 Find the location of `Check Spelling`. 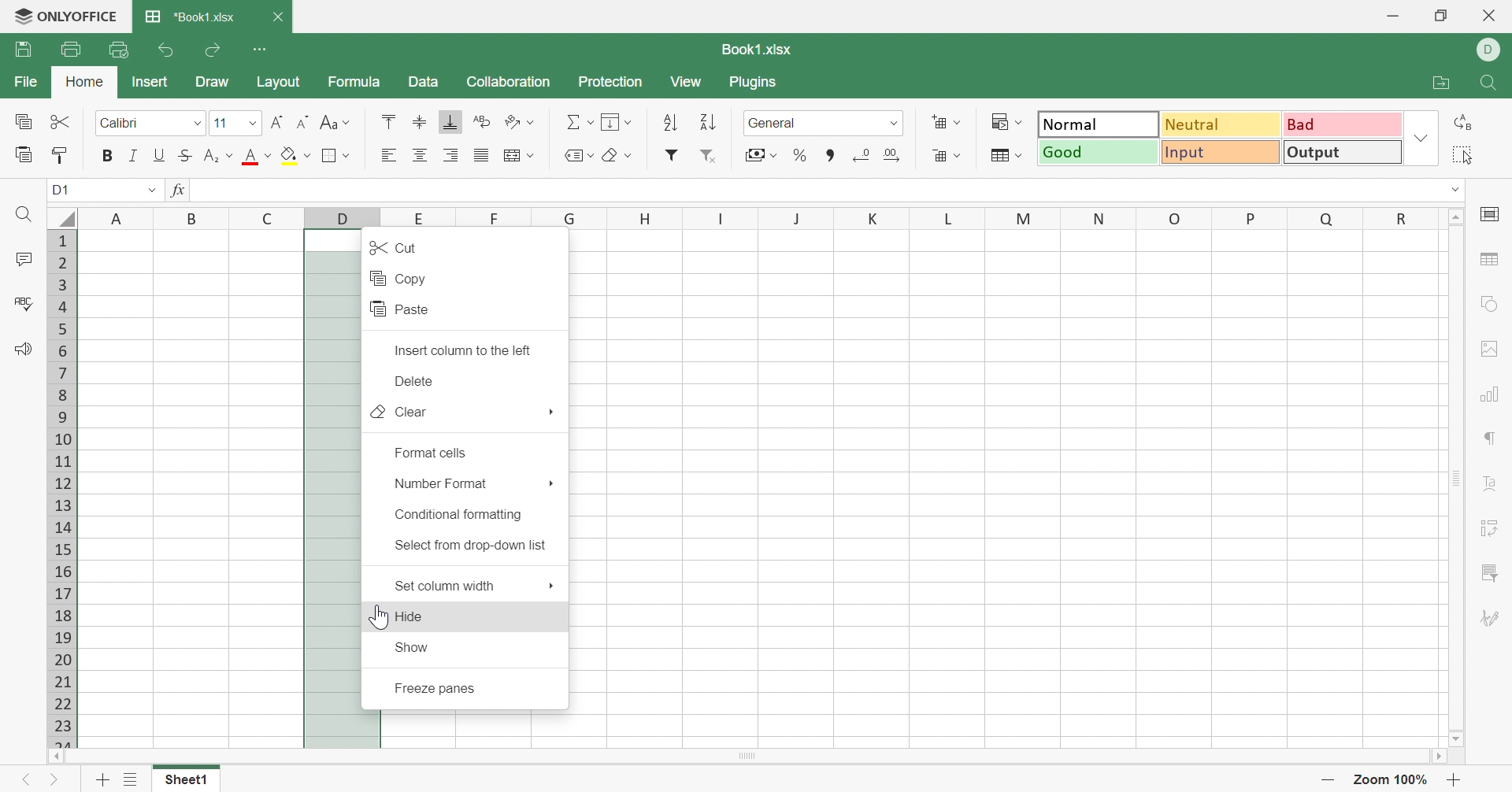

Check Spelling is located at coordinates (22, 303).